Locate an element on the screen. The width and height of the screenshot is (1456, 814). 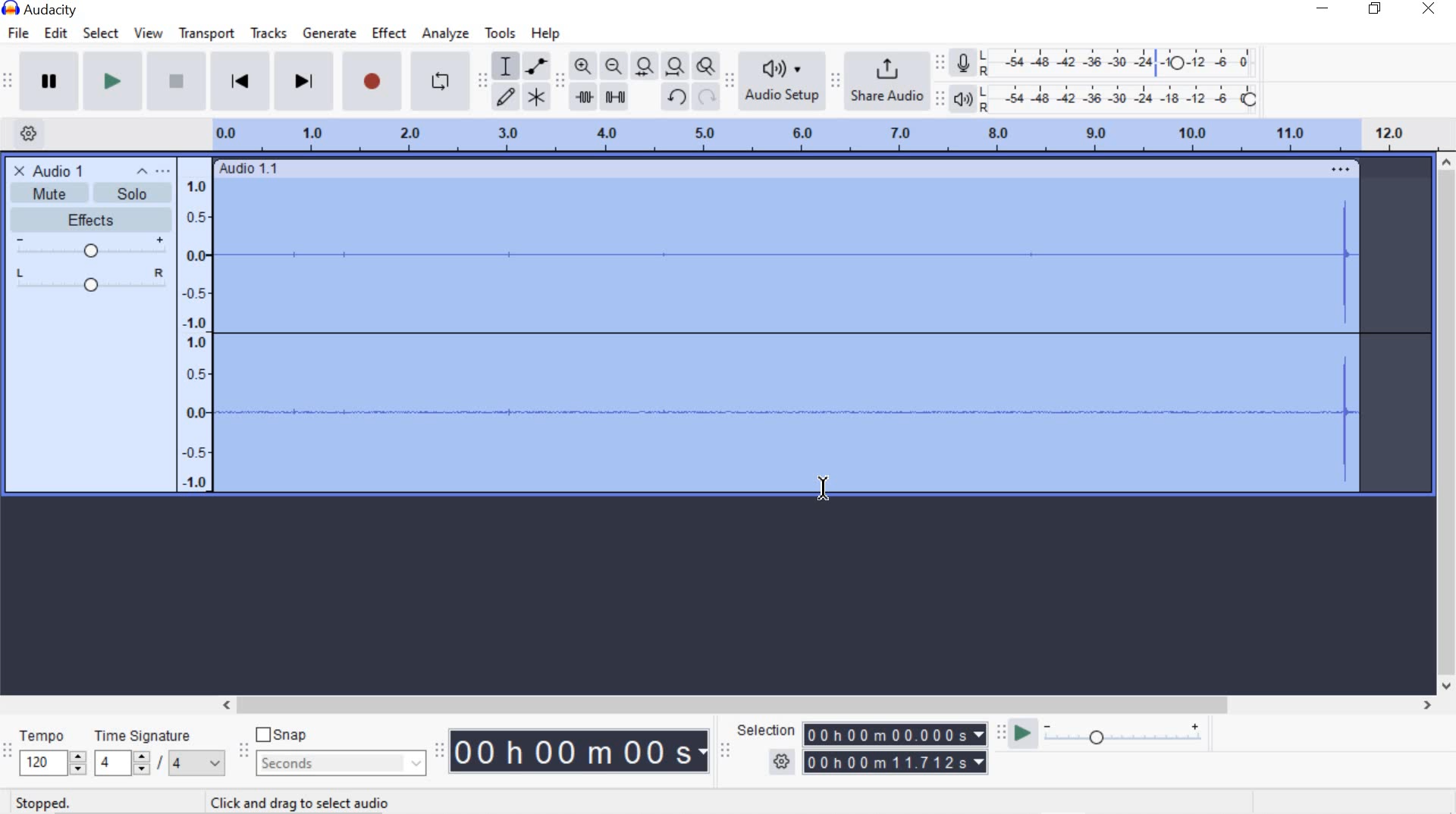
Fit selection to width is located at coordinates (645, 66).